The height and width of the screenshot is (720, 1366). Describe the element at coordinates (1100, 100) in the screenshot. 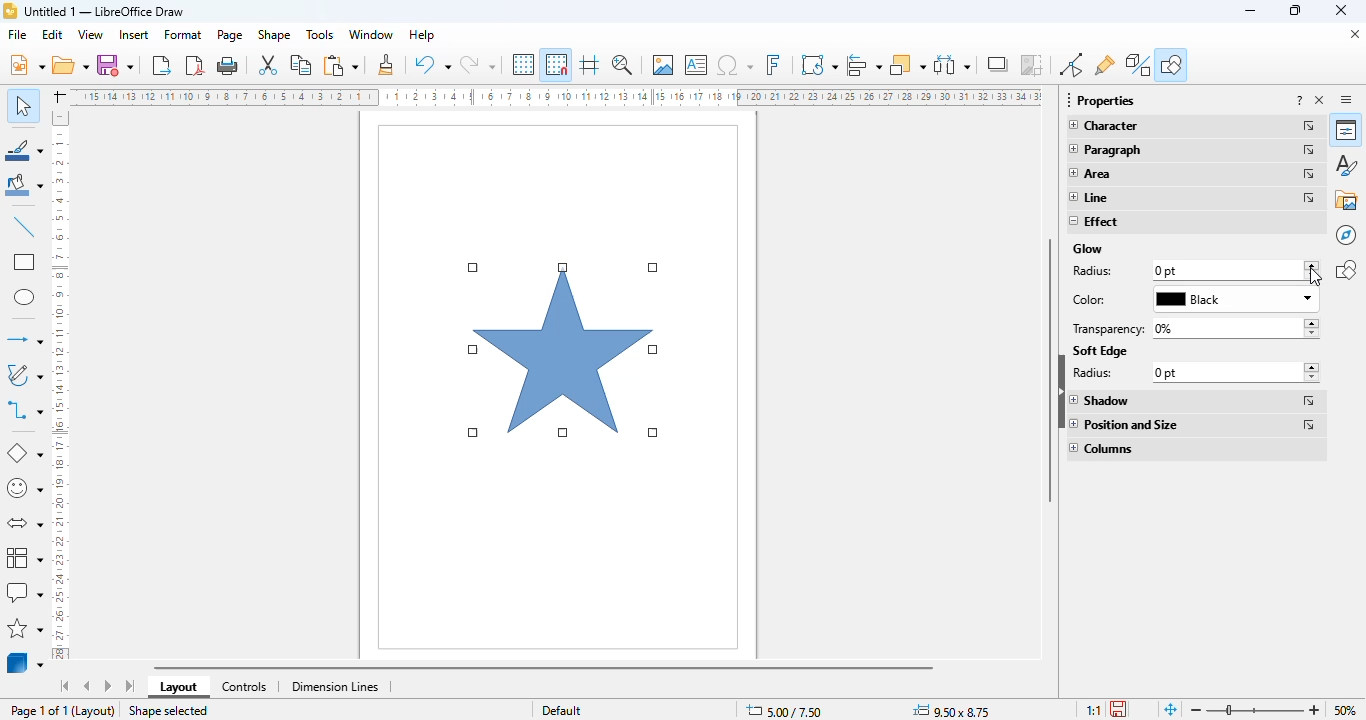

I see `properties` at that location.